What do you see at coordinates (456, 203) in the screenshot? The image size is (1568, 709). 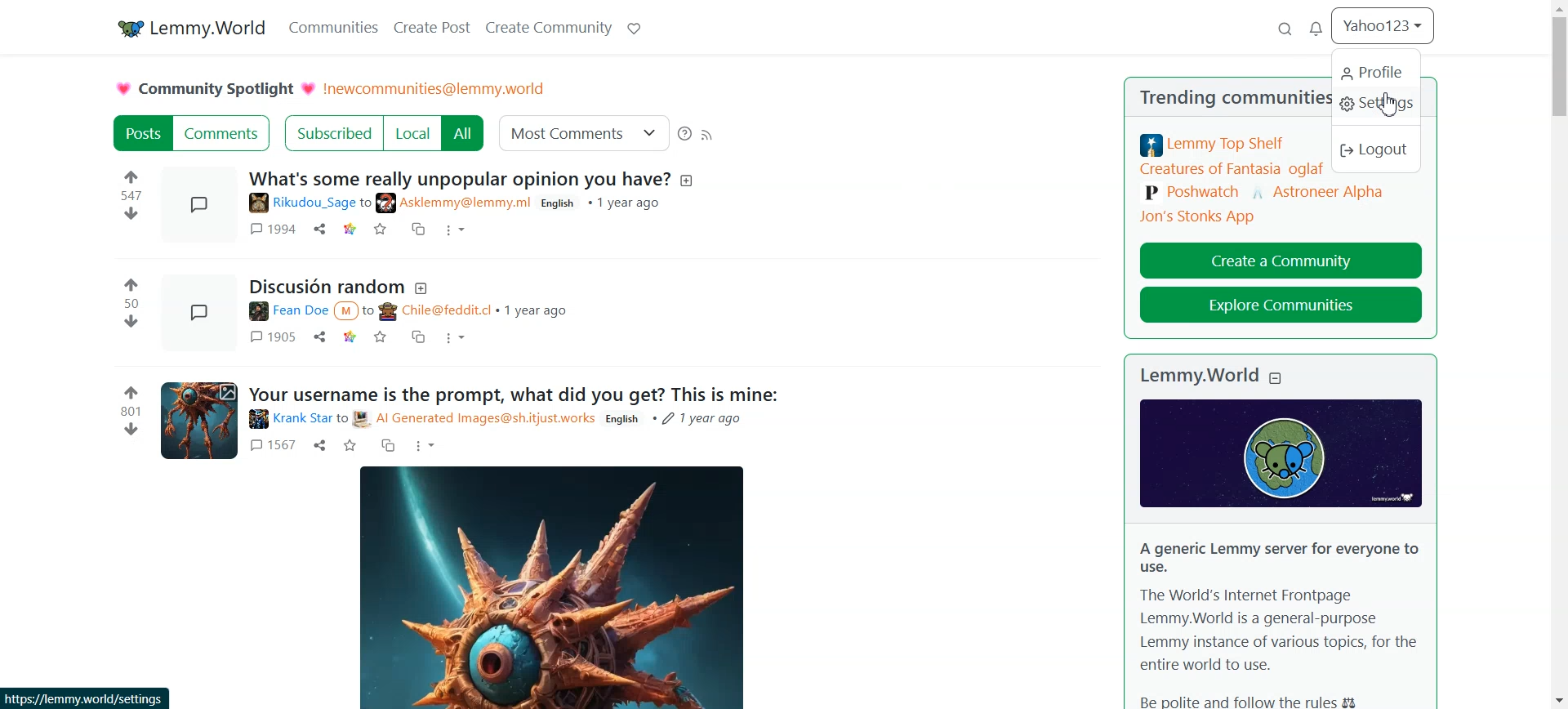 I see `asklemmy@lemmy.ml` at bounding box center [456, 203].